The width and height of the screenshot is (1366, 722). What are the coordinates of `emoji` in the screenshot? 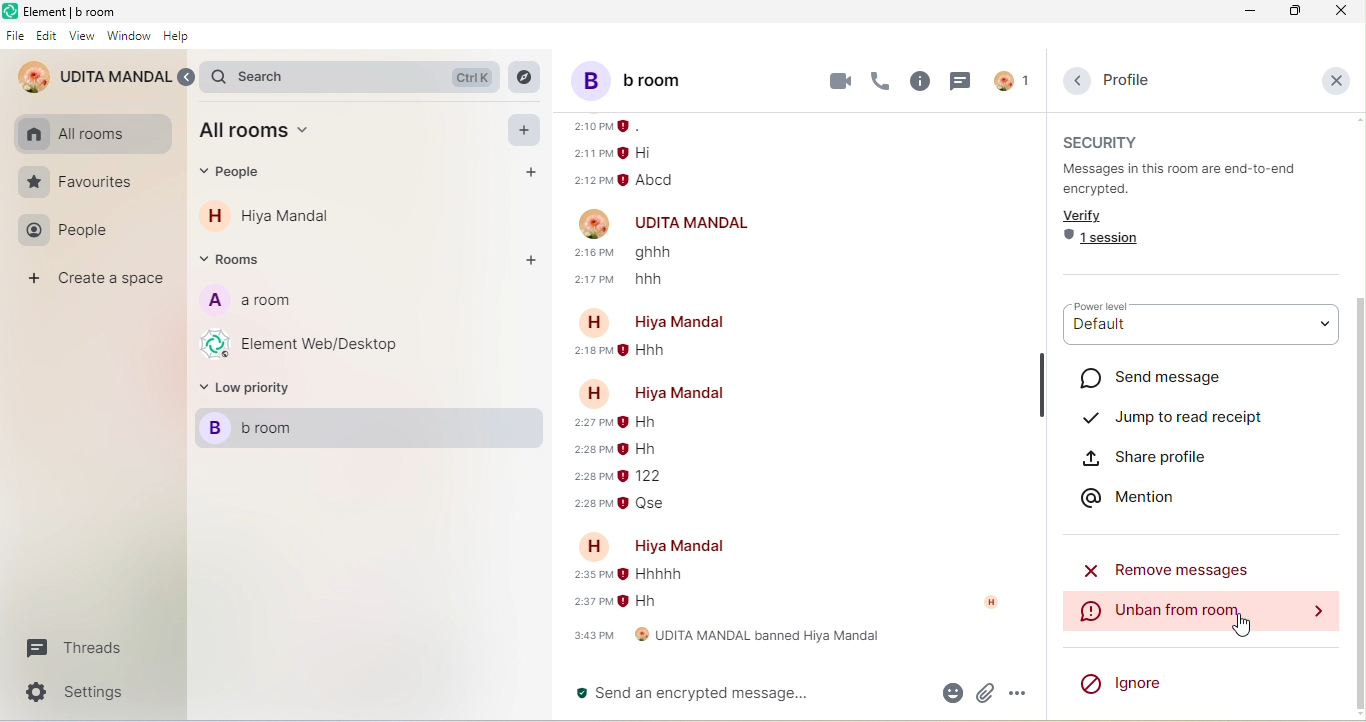 It's located at (949, 692).